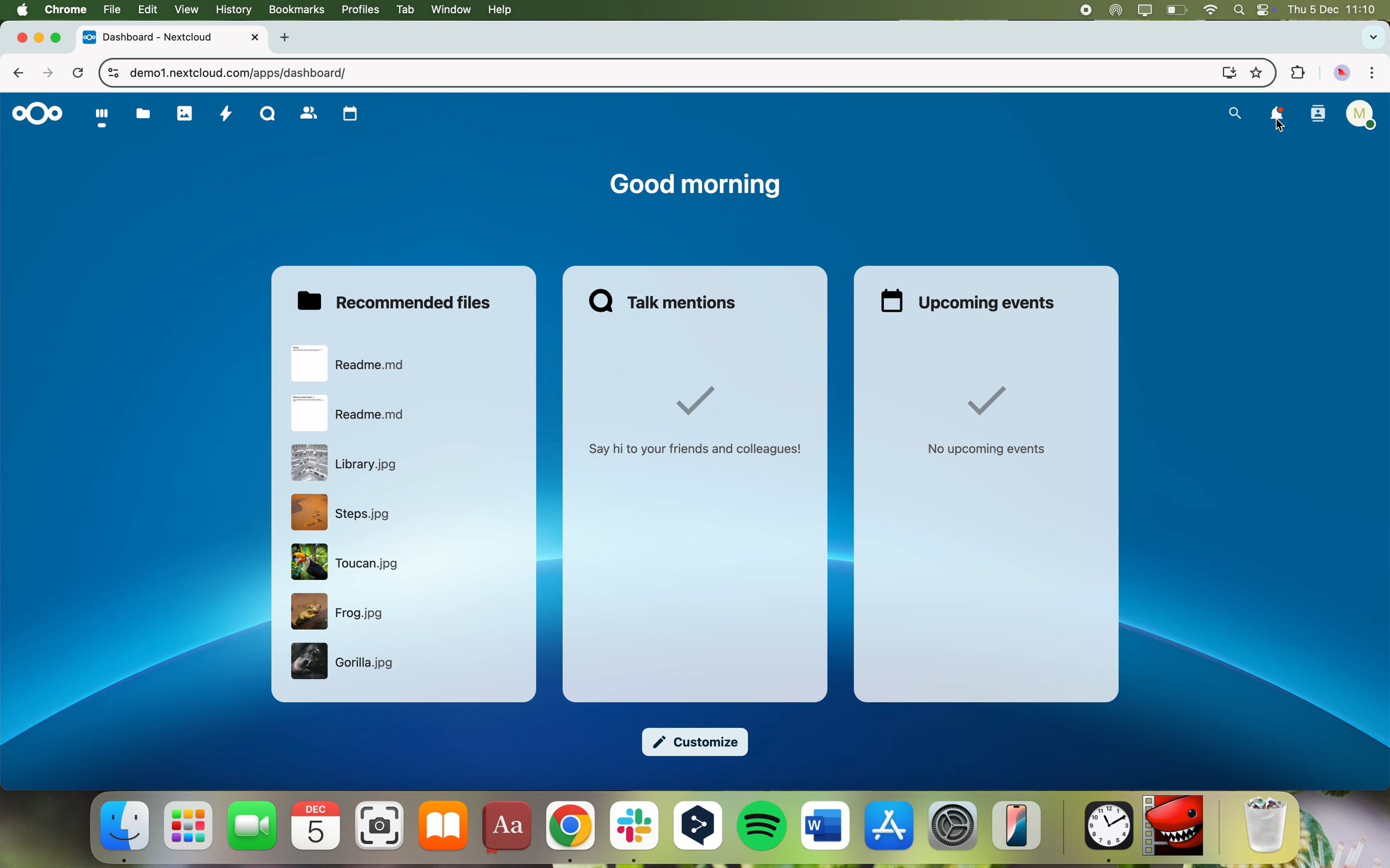 The width and height of the screenshot is (1390, 868). What do you see at coordinates (970, 301) in the screenshot?
I see `upcoming events` at bounding box center [970, 301].